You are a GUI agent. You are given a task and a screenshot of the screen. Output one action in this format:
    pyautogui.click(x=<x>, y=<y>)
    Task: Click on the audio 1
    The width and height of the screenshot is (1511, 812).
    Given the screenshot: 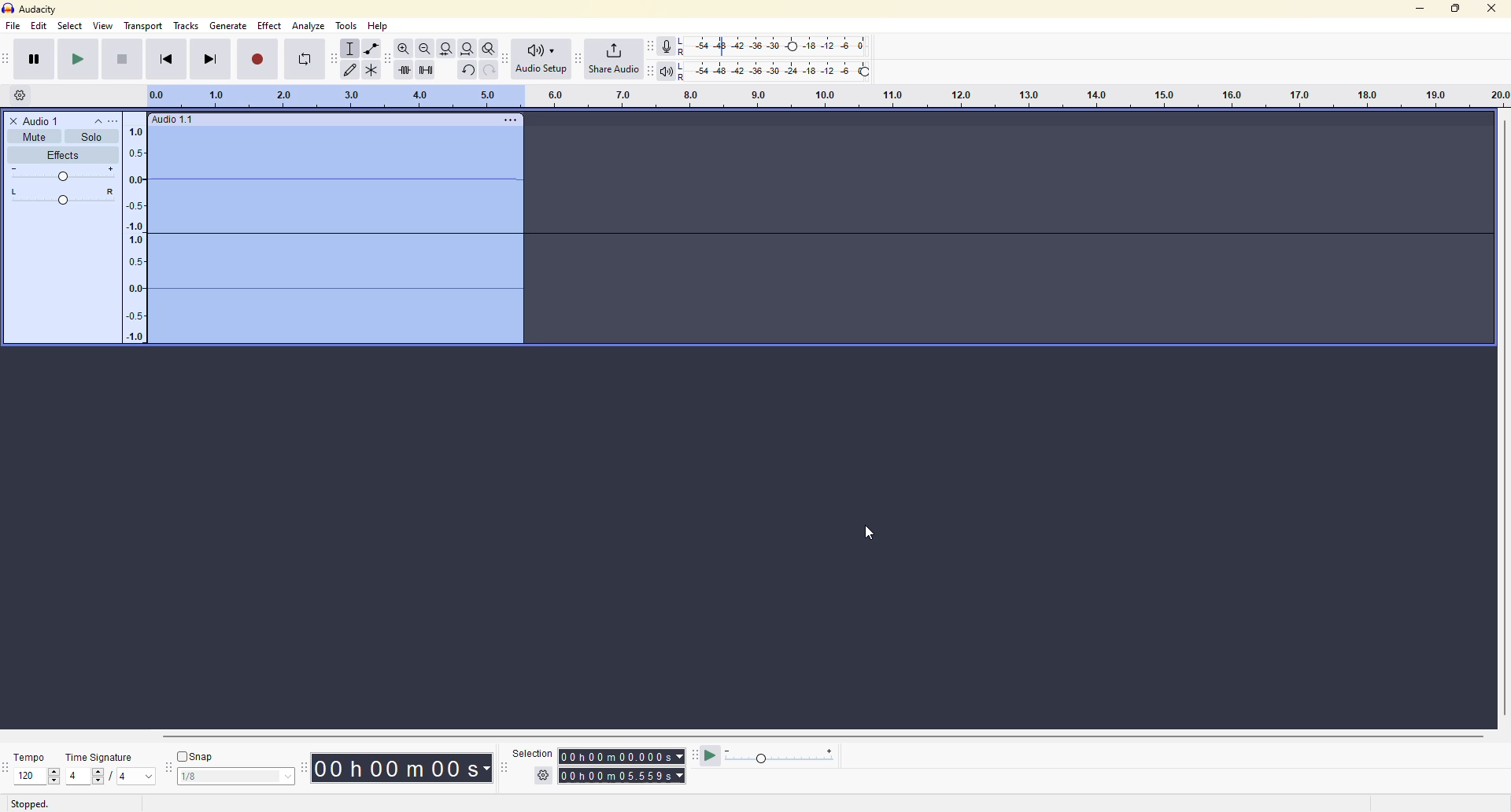 What is the action you would take?
    pyautogui.click(x=37, y=120)
    